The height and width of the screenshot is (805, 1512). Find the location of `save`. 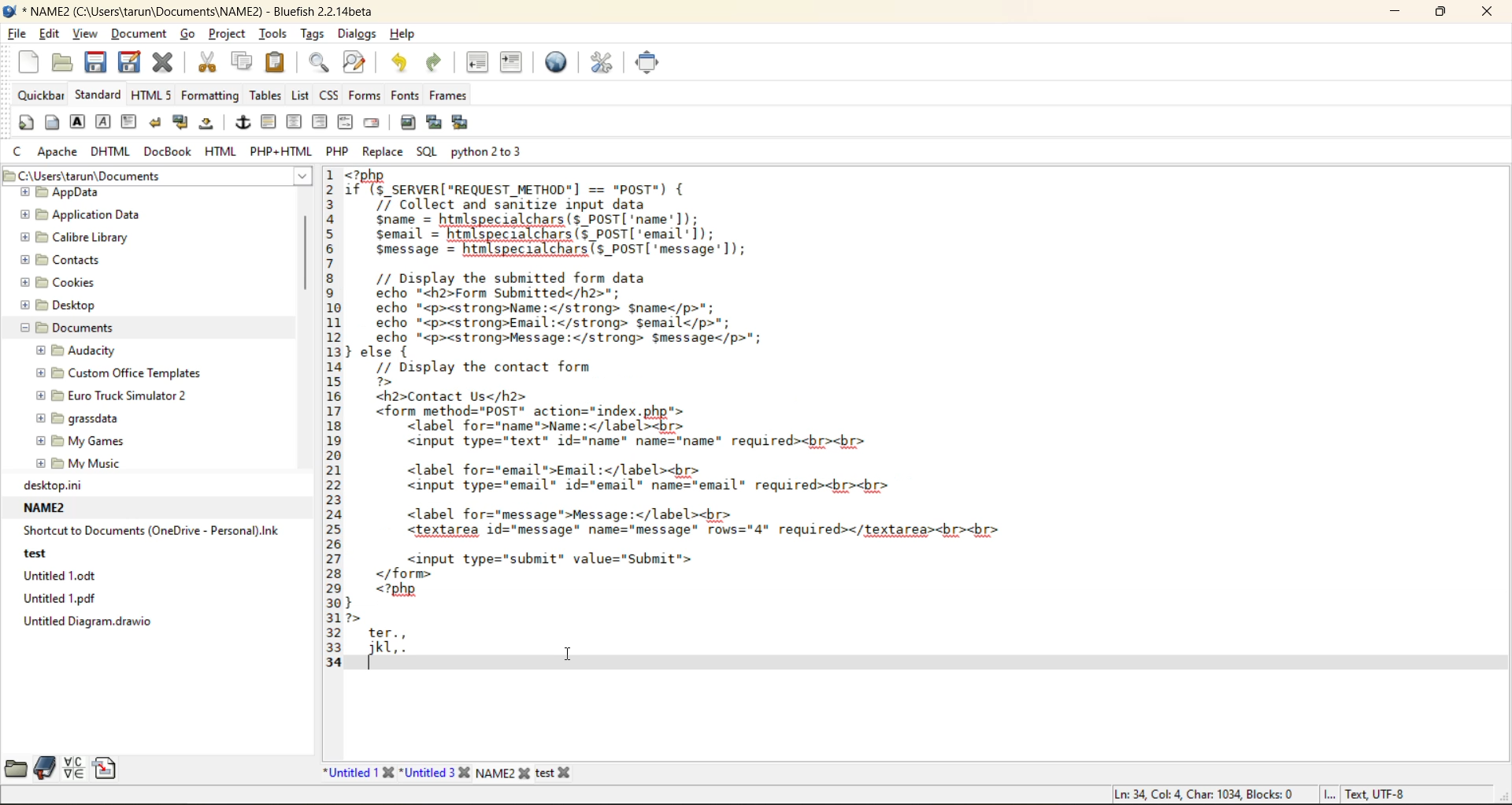

save is located at coordinates (97, 62).